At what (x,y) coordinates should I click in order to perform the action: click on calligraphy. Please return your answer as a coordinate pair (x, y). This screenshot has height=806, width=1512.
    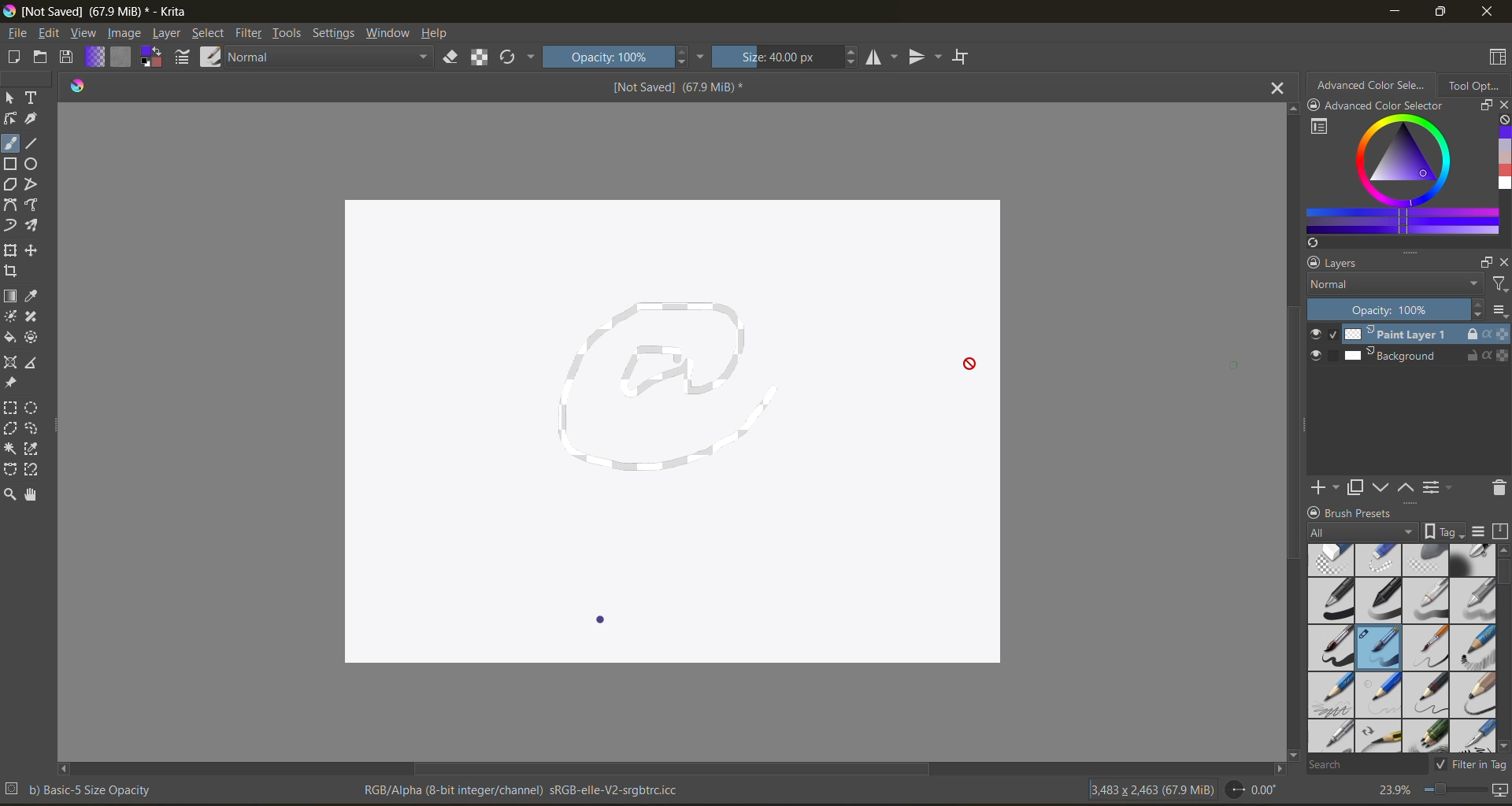
    Looking at the image, I should click on (32, 119).